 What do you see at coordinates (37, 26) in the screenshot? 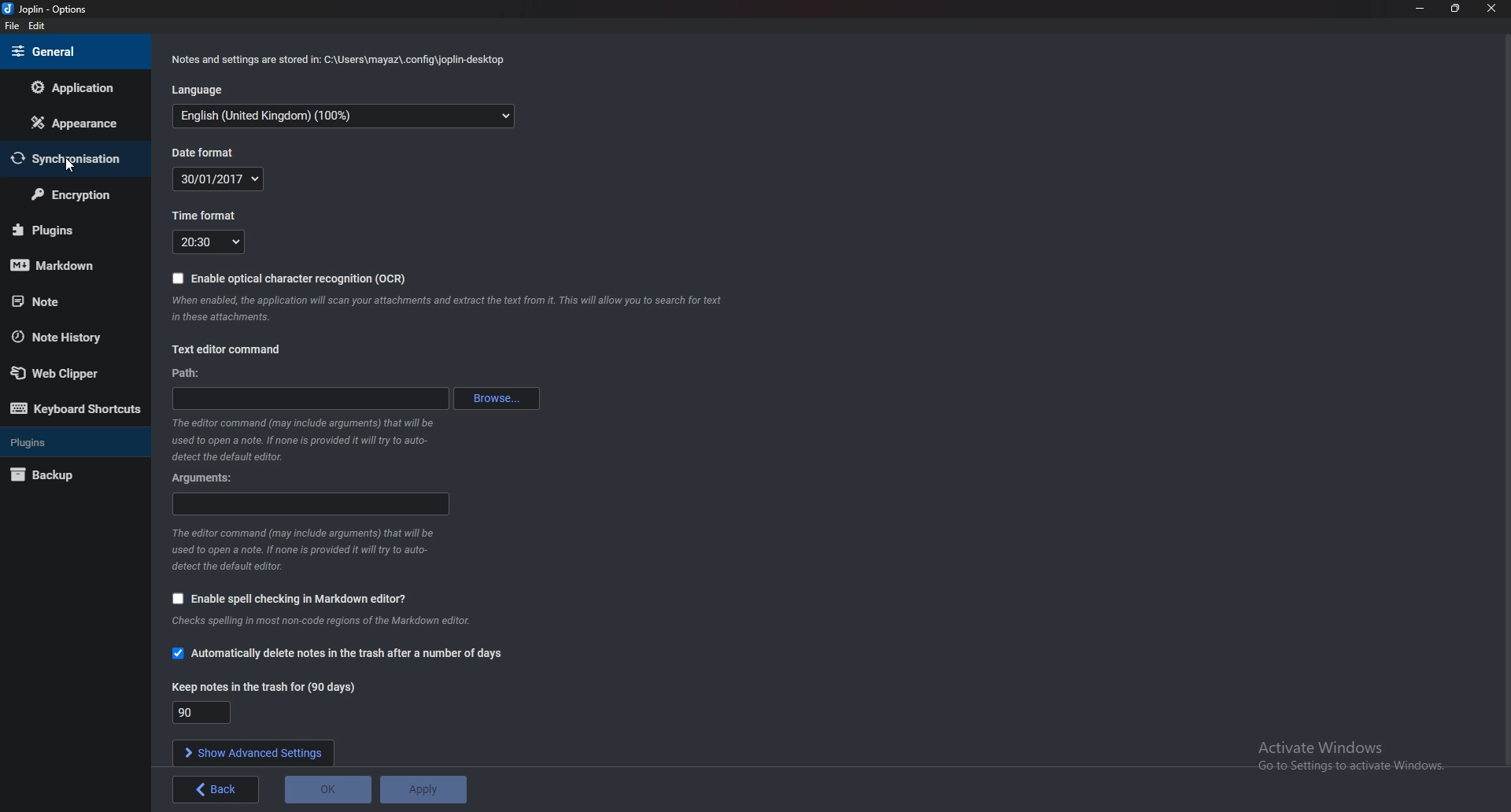
I see `Edit` at bounding box center [37, 26].